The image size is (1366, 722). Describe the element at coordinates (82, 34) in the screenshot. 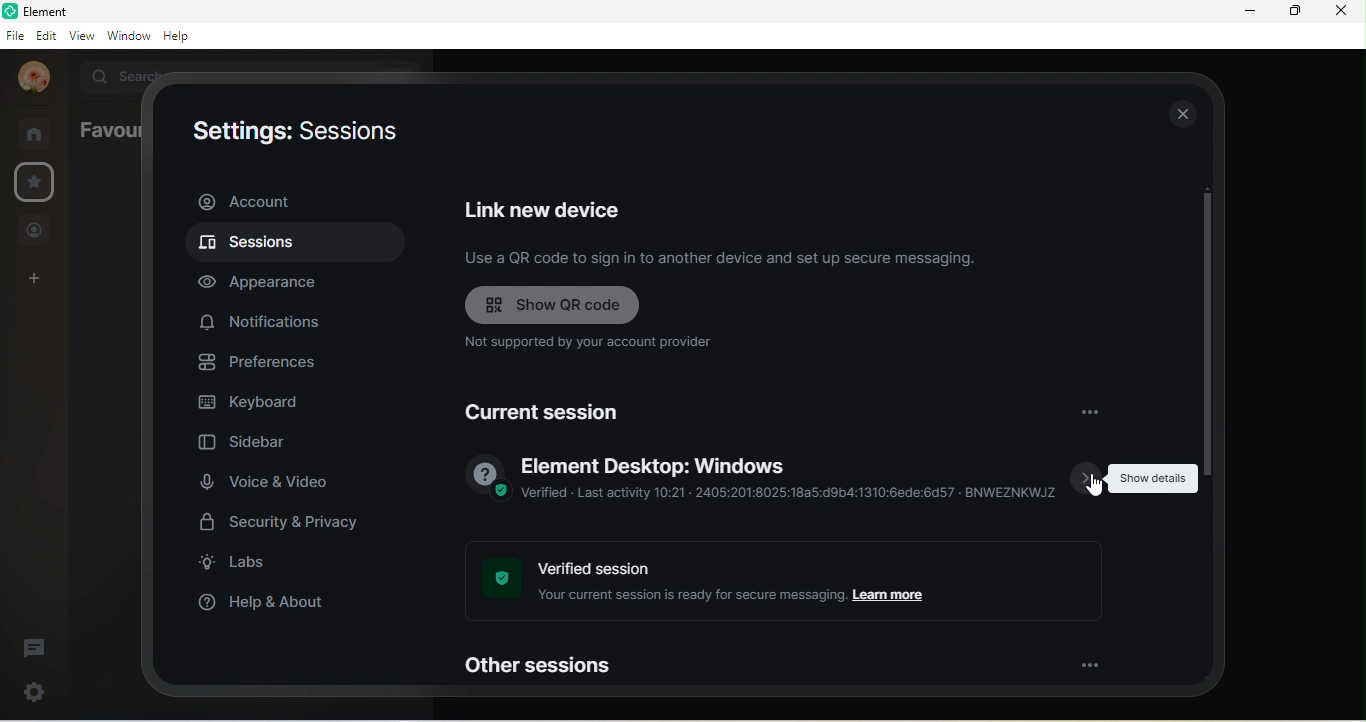

I see `view` at that location.